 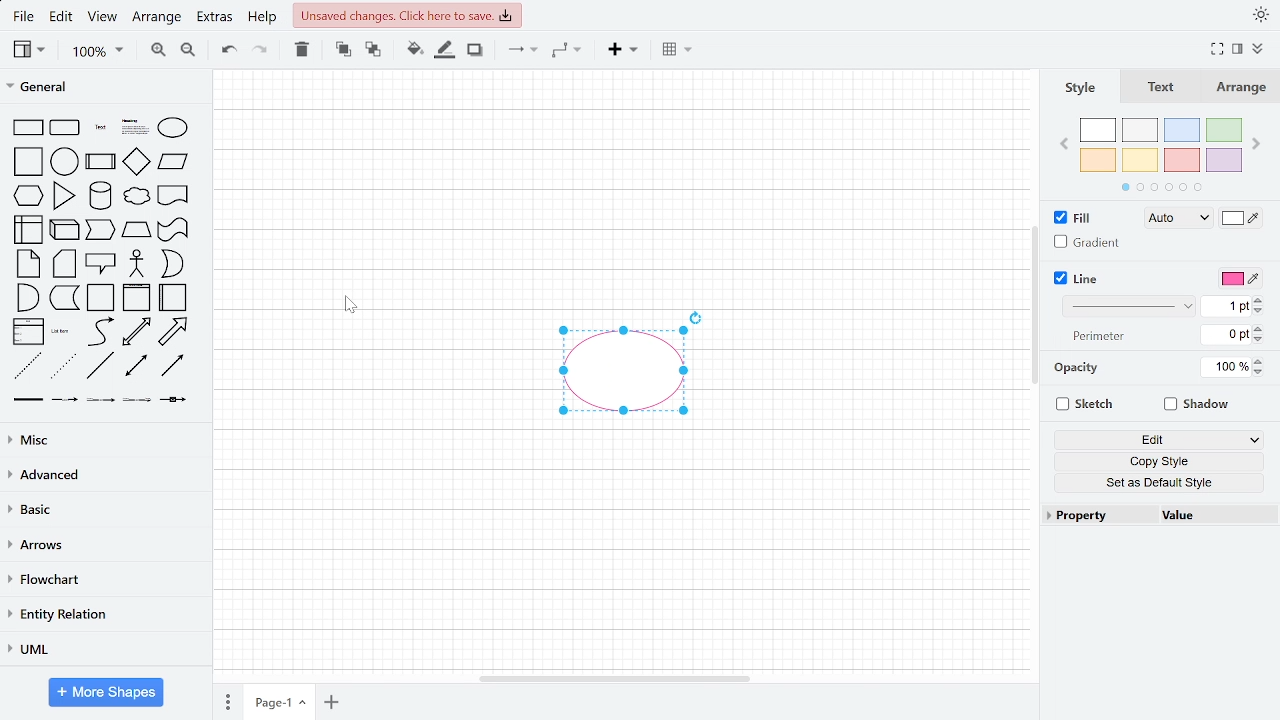 I want to click on green, so click(x=1225, y=131).